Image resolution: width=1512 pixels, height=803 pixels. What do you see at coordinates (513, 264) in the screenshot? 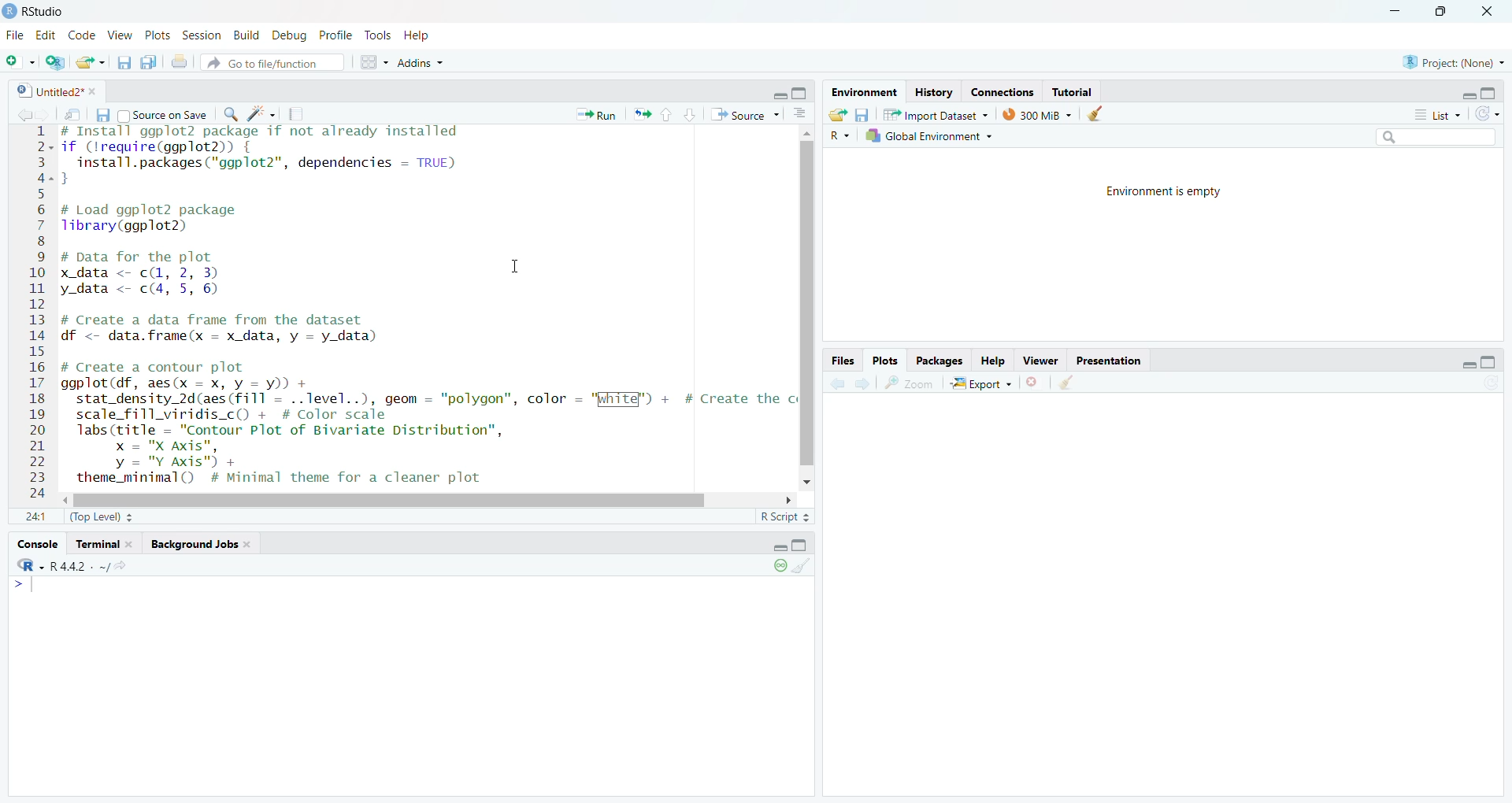
I see `cursor` at bounding box center [513, 264].